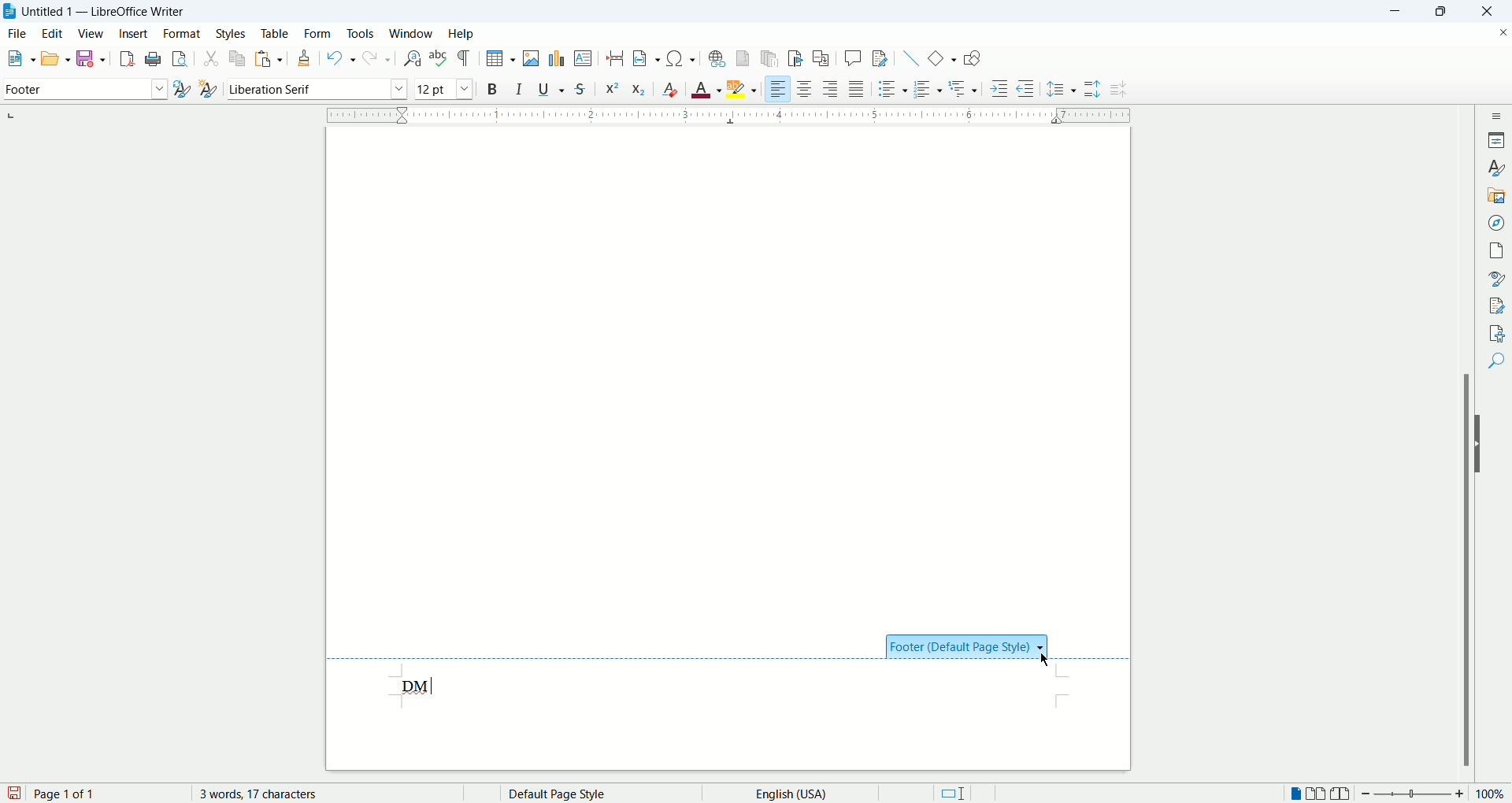 This screenshot has height=803, width=1512. I want to click on text language, so click(786, 793).